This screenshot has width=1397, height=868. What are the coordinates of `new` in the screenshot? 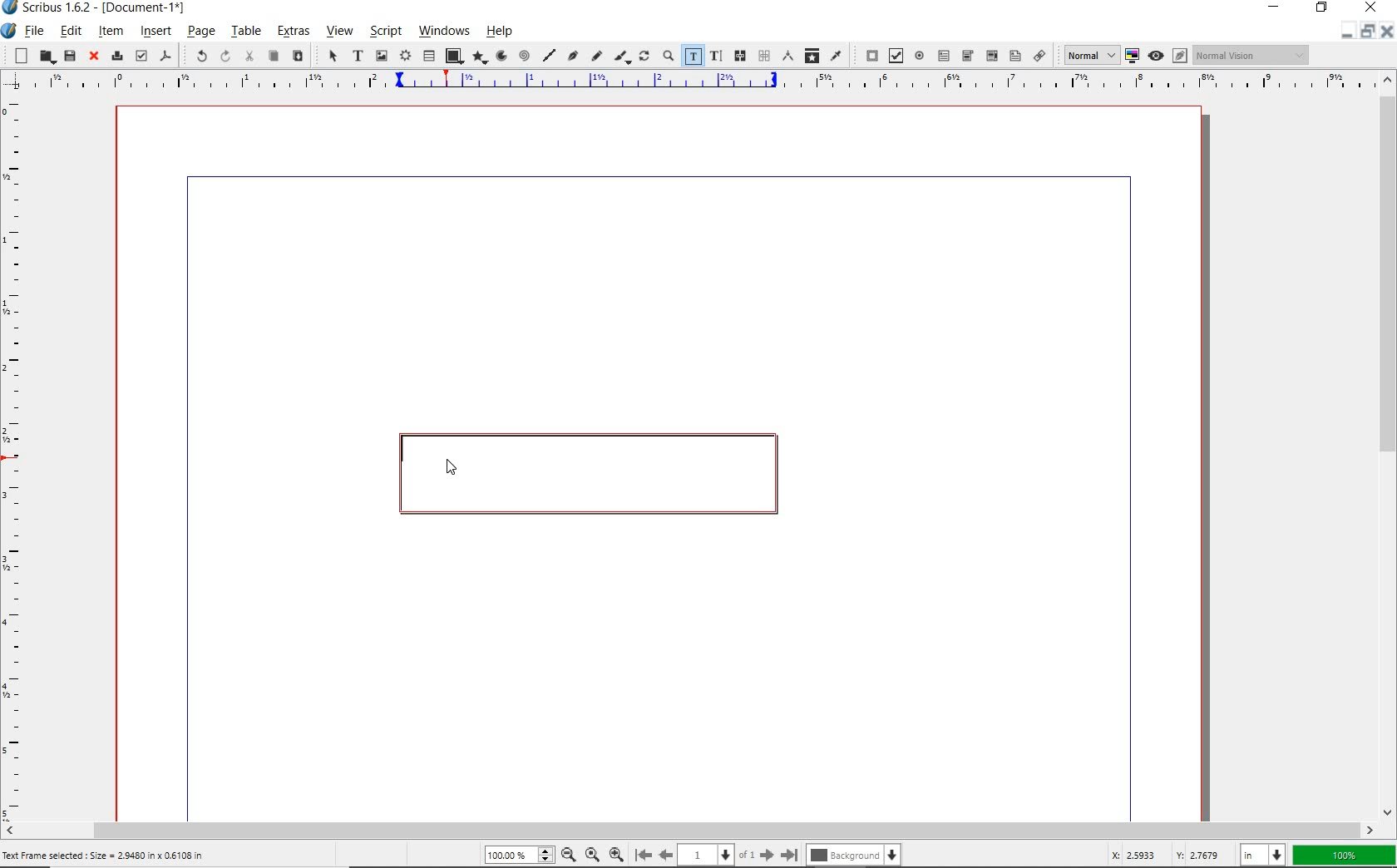 It's located at (17, 55).